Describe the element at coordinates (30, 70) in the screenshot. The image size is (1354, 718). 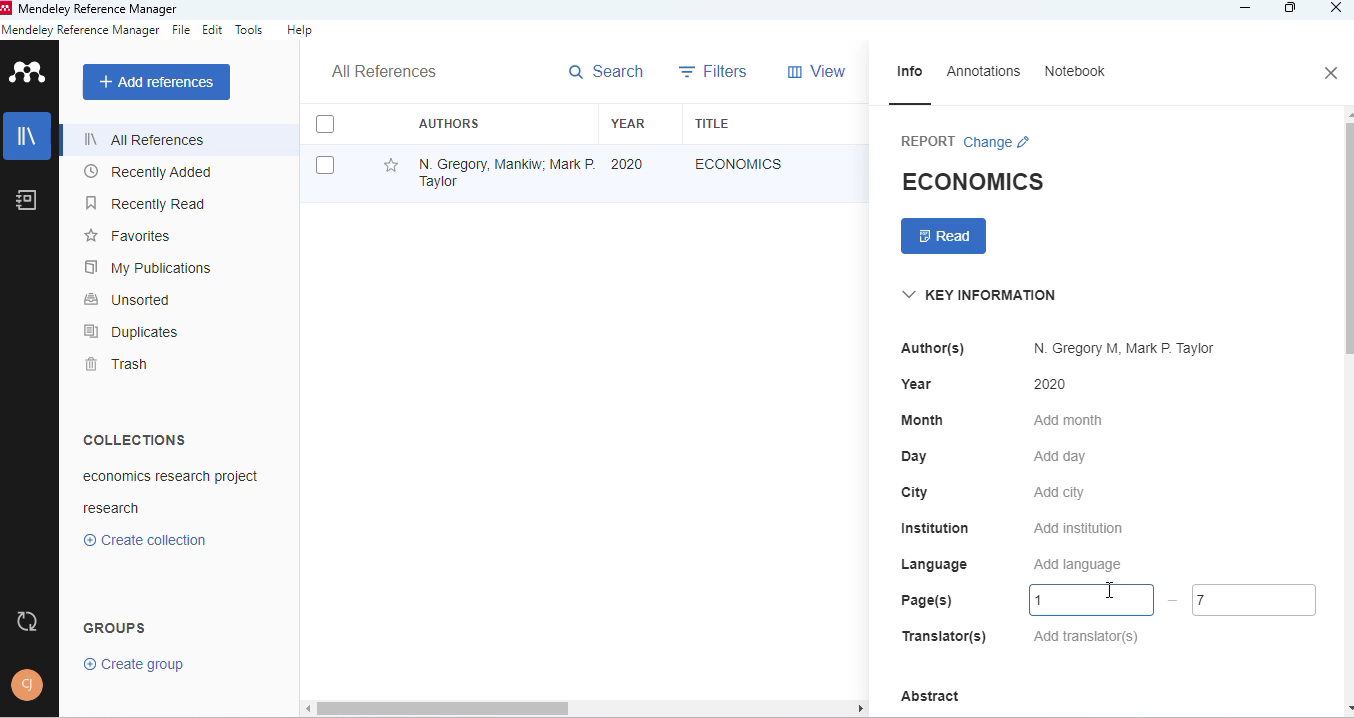
I see `logo` at that location.